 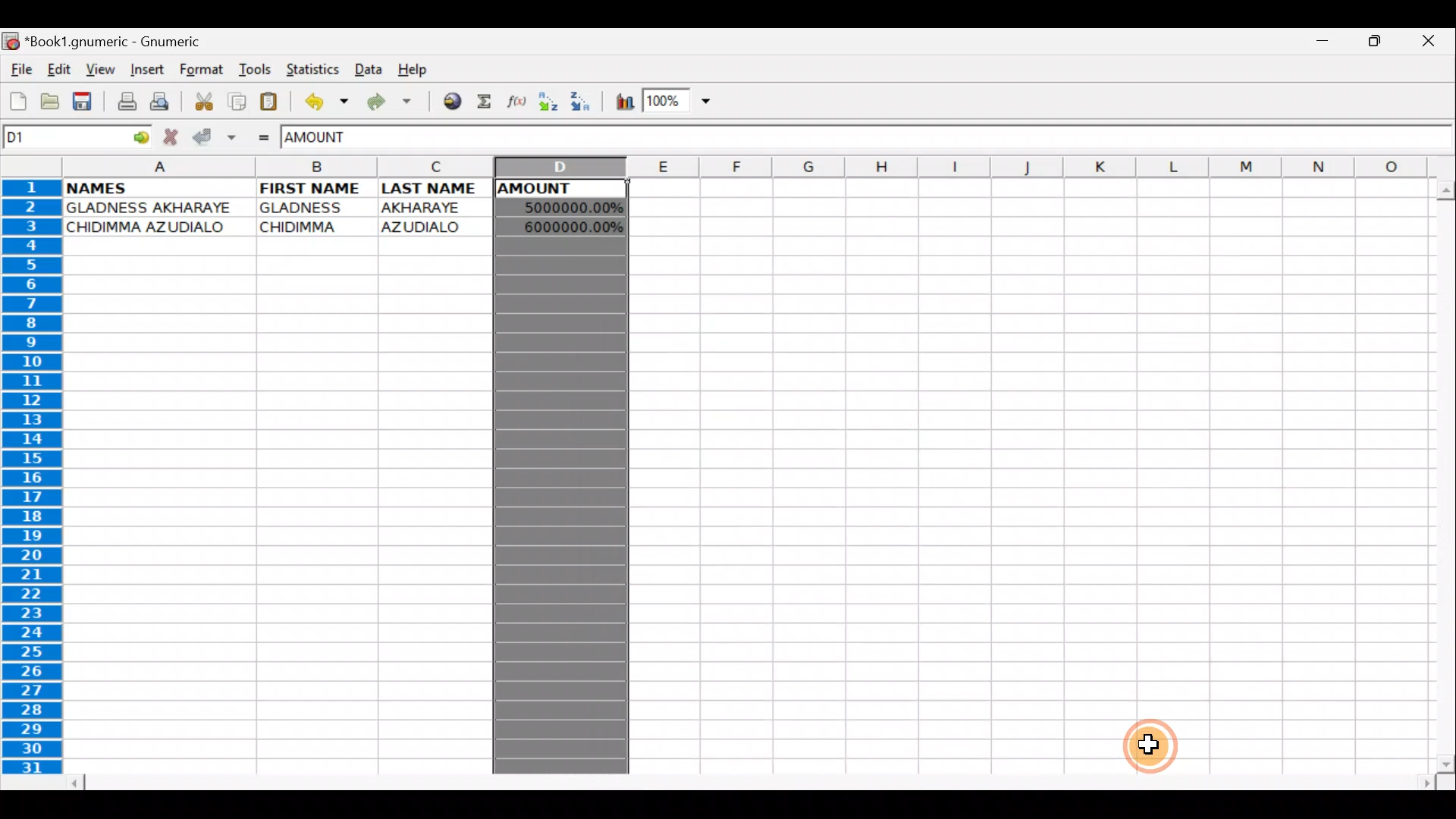 What do you see at coordinates (485, 102) in the screenshot?
I see `Sum in the current cell` at bounding box center [485, 102].